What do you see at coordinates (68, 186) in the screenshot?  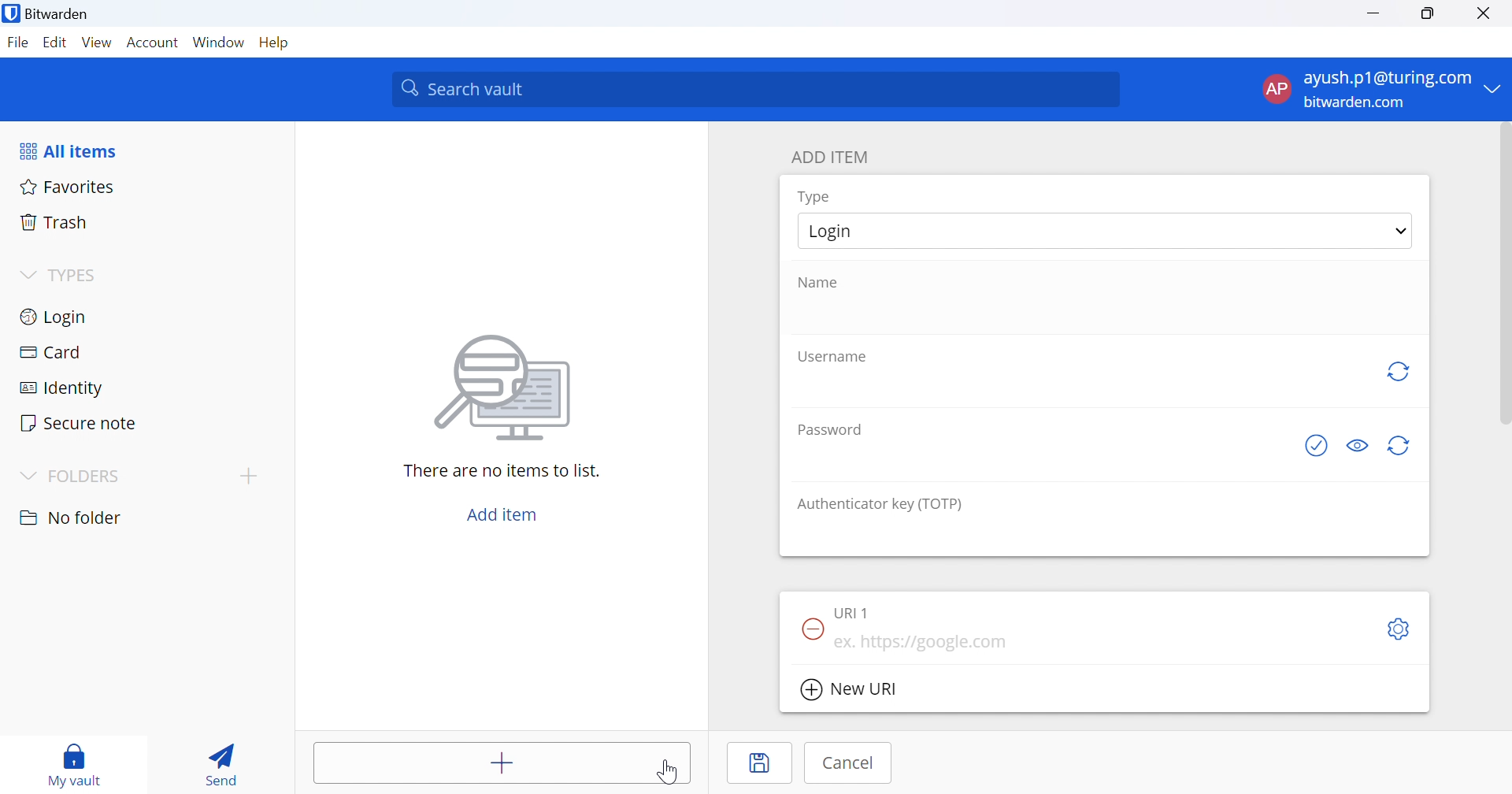 I see `Favorites` at bounding box center [68, 186].